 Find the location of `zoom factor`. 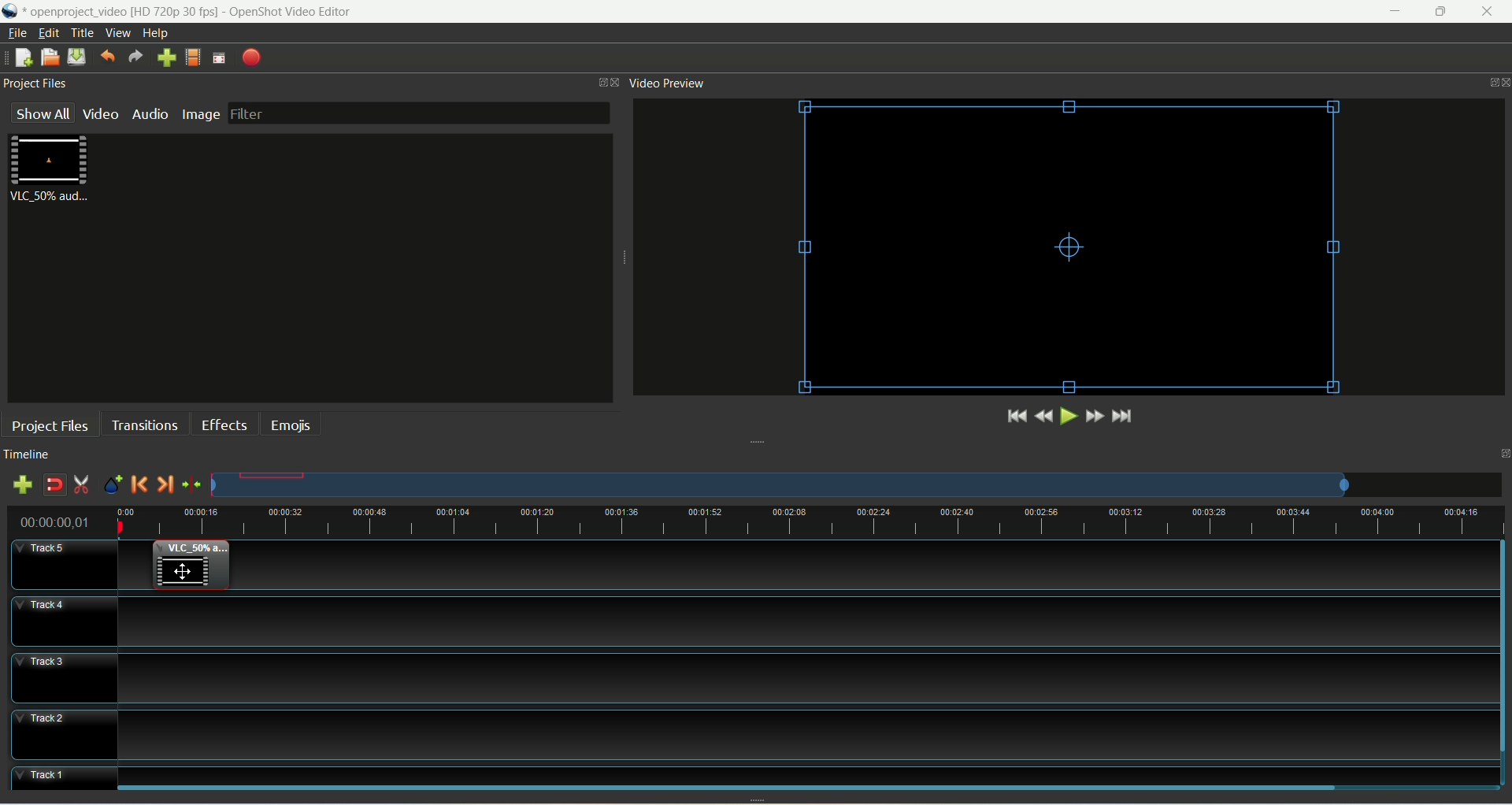

zoom factor is located at coordinates (813, 520).